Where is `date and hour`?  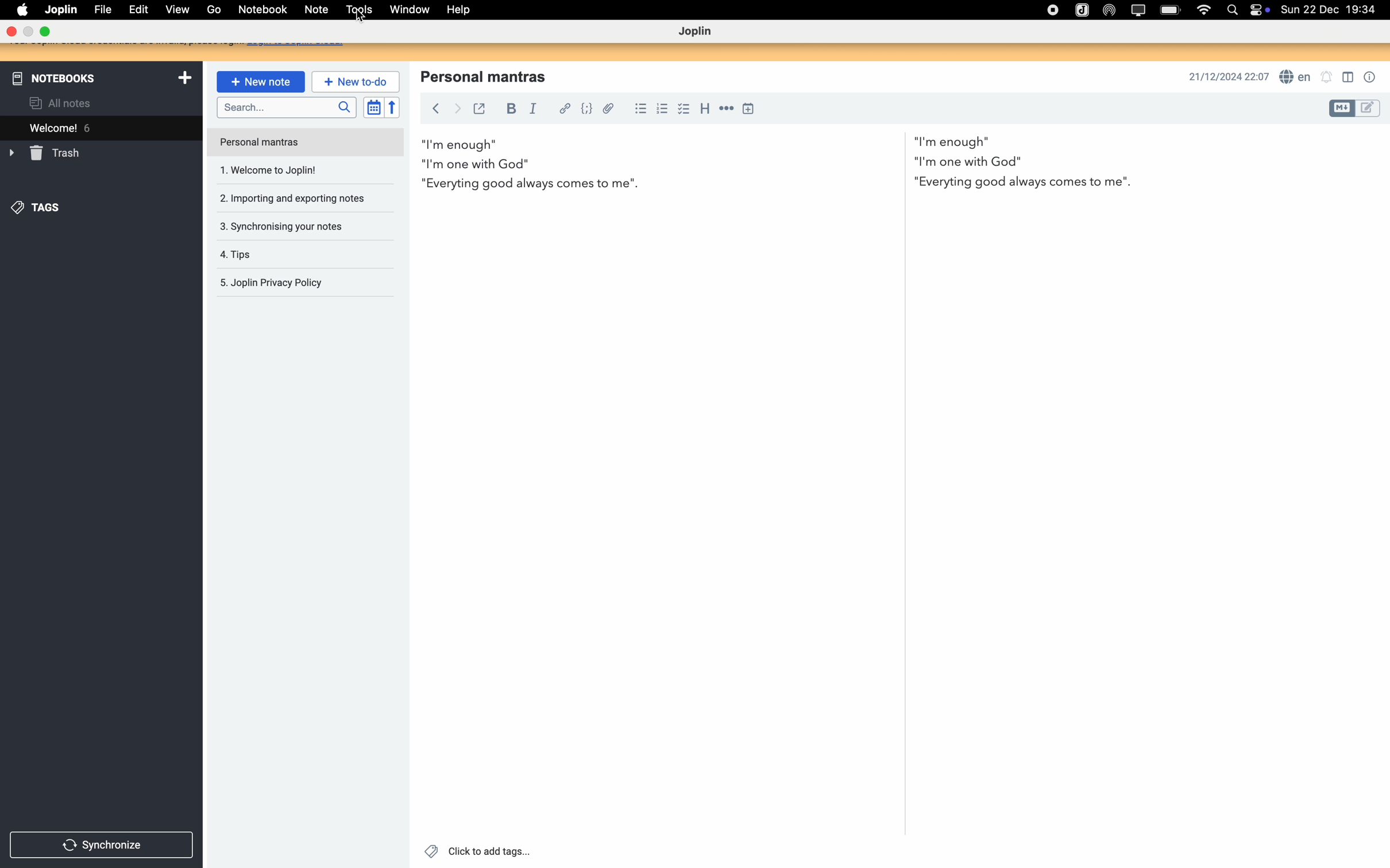
date and hour is located at coordinates (1226, 77).